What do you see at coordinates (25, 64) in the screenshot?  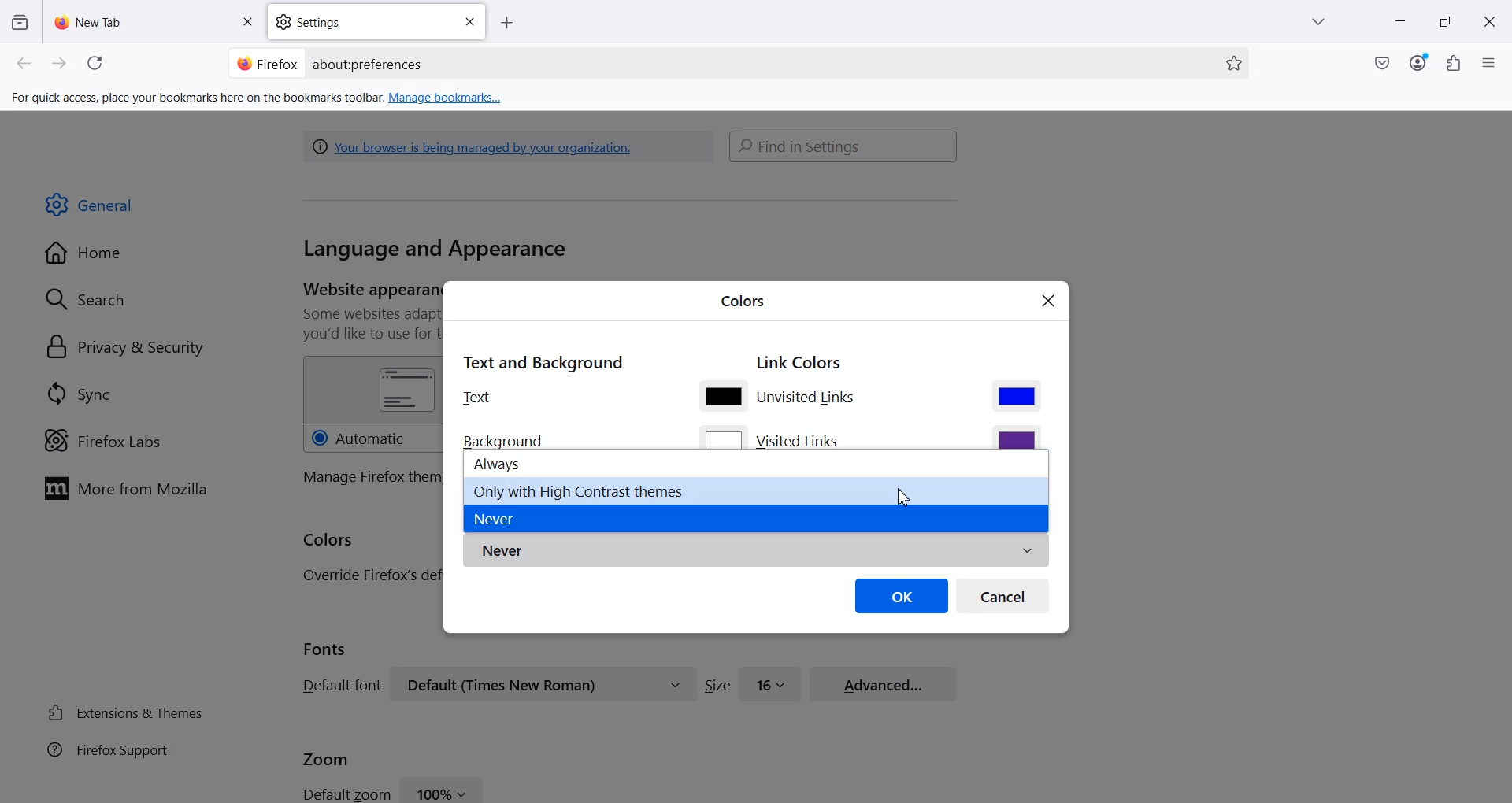 I see `Backward` at bounding box center [25, 64].